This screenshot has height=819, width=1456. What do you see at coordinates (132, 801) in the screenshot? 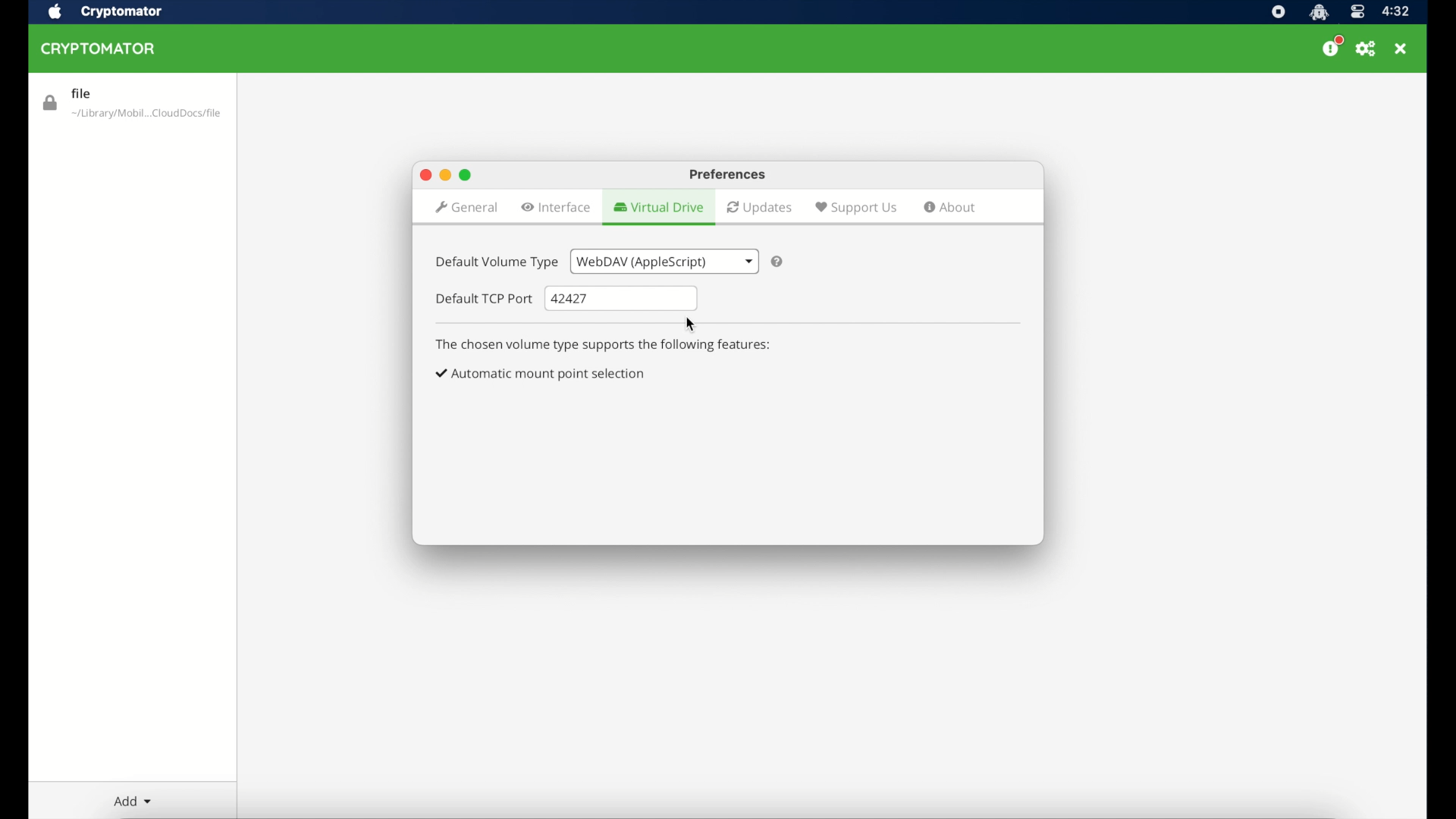
I see `add dropdown` at bounding box center [132, 801].